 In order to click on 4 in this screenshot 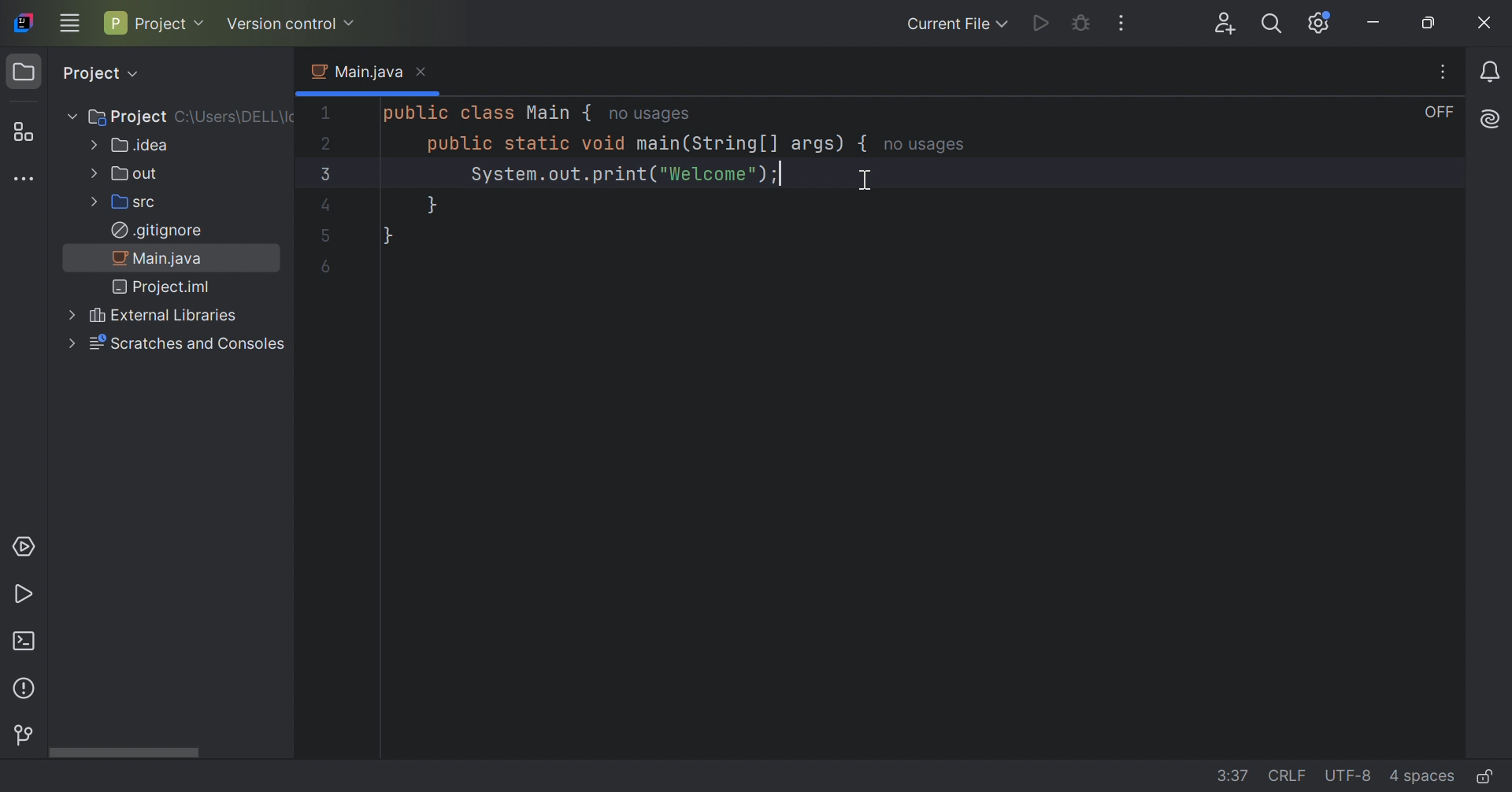, I will do `click(324, 206)`.